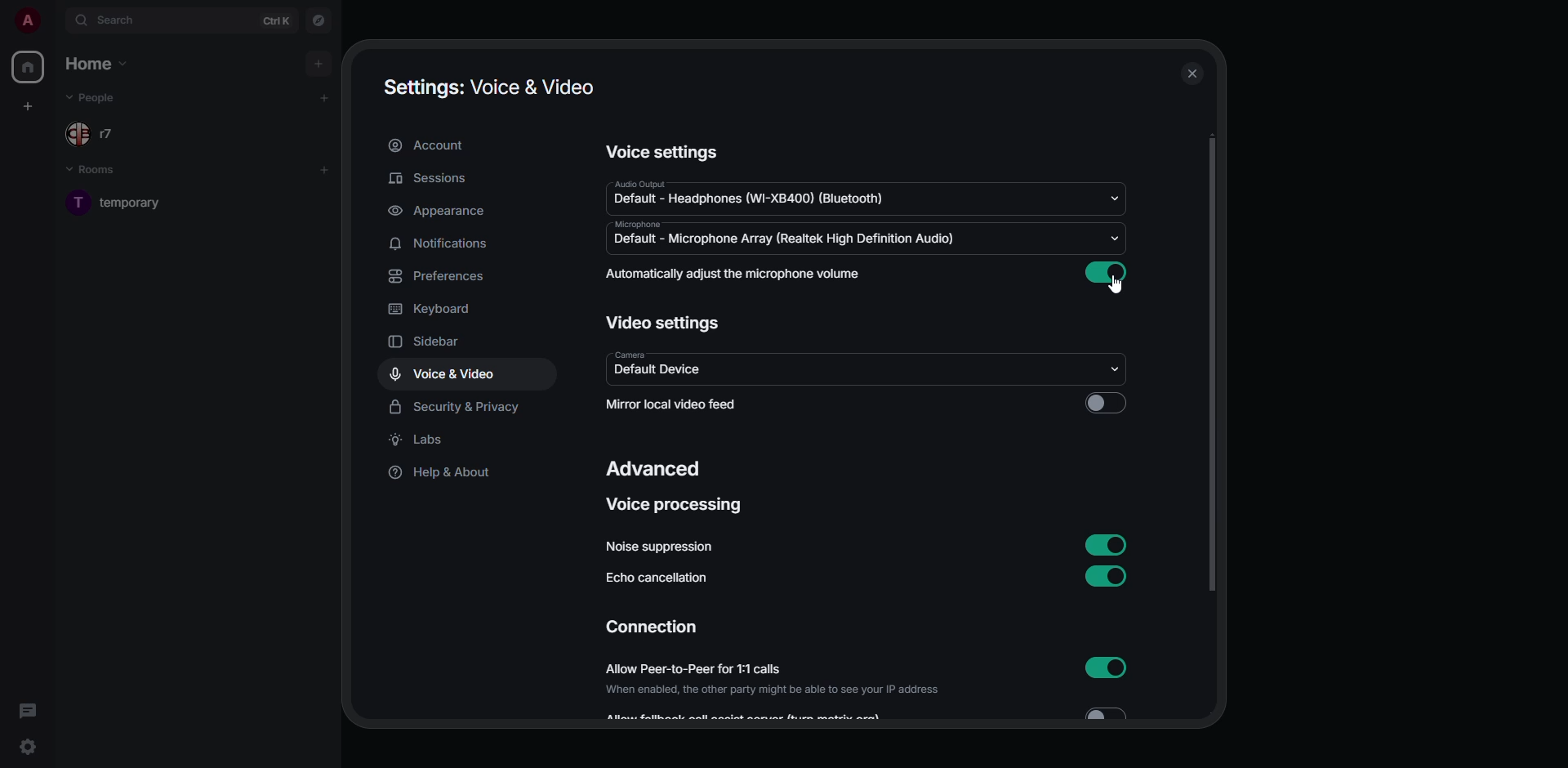  Describe the element at coordinates (773, 680) in the screenshot. I see `allow peer to peer for 1:1 calls` at that location.